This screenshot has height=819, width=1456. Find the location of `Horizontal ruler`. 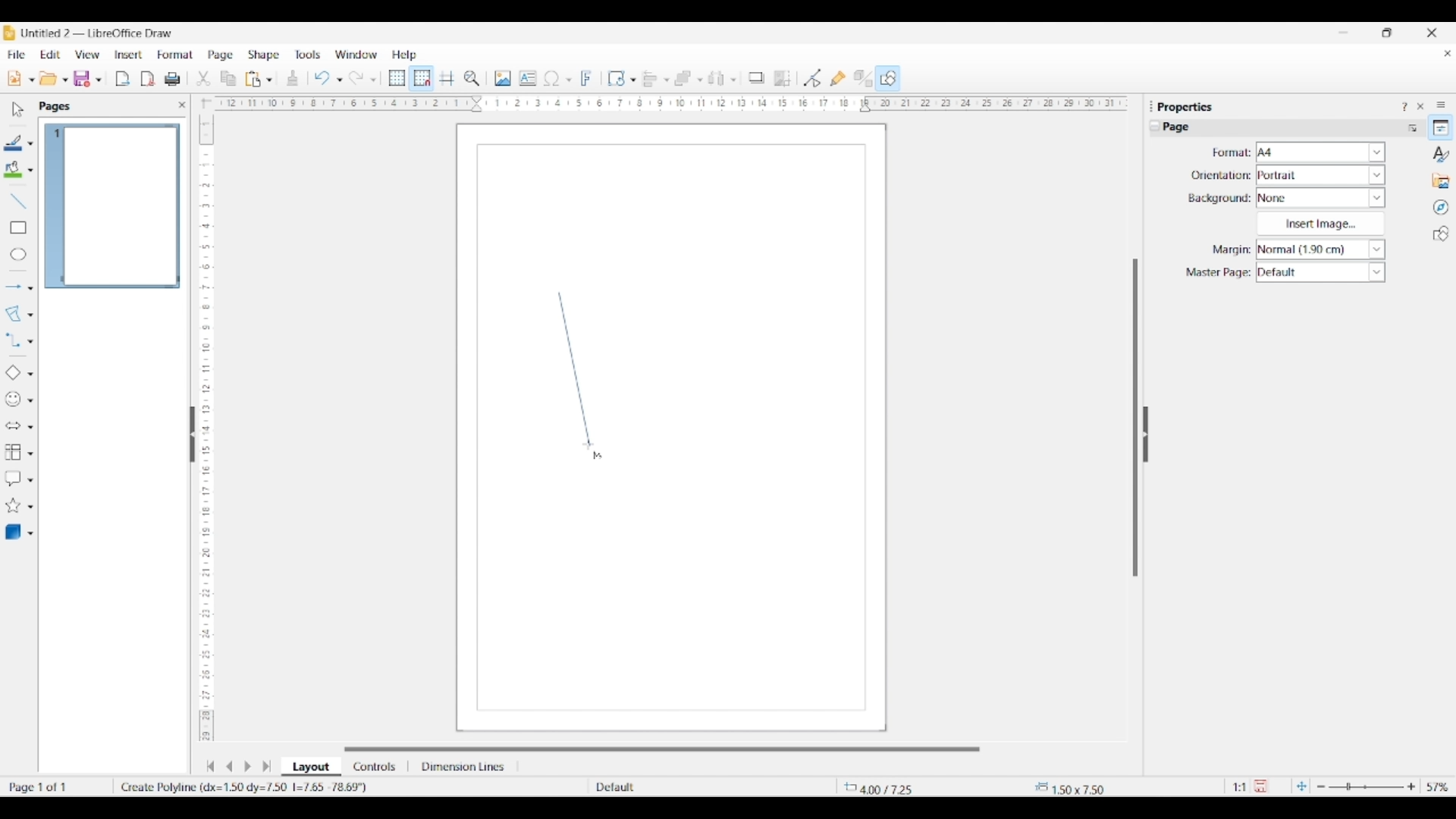

Horizontal ruler is located at coordinates (666, 103).